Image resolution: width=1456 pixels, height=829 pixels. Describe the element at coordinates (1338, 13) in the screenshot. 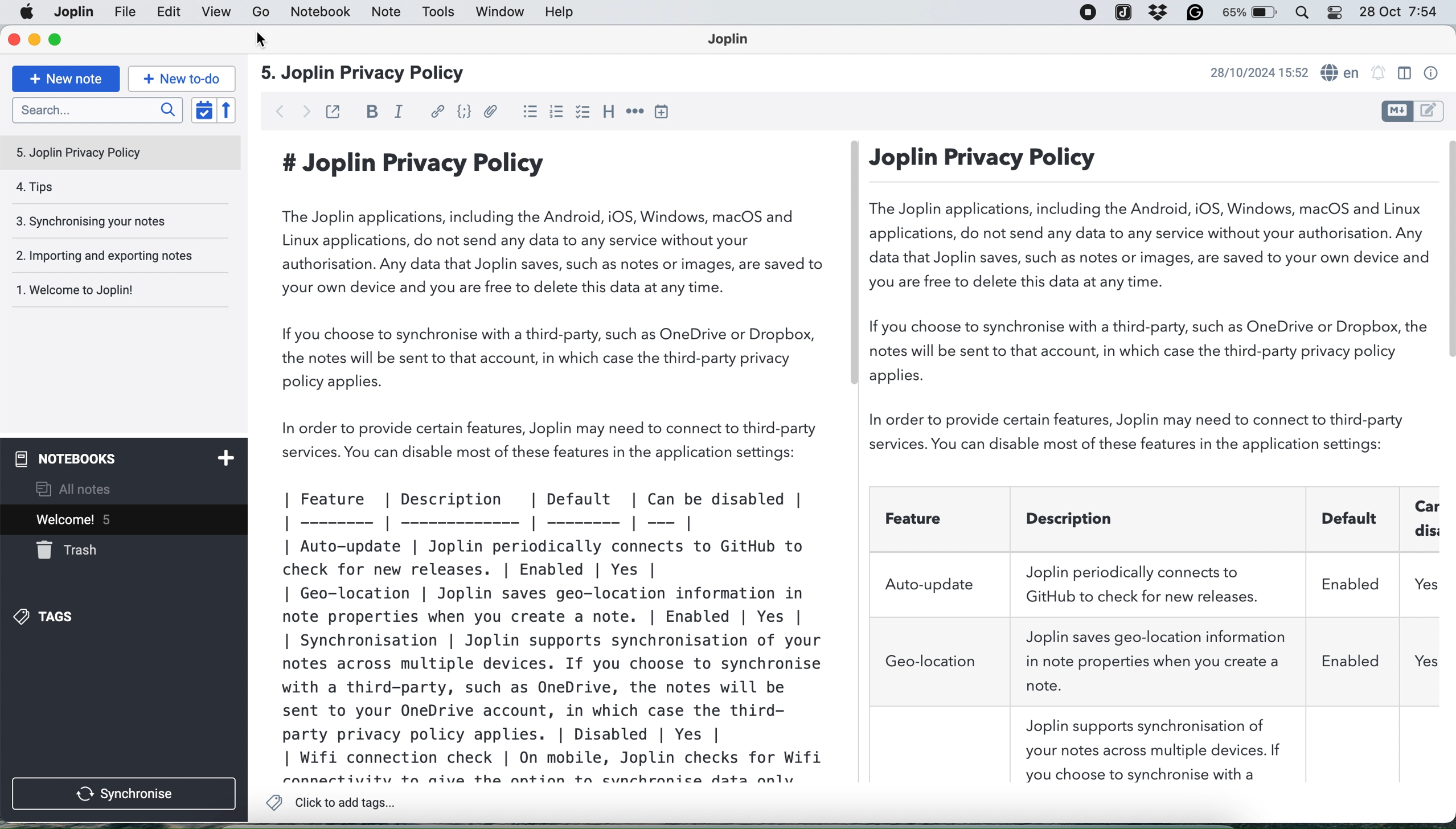

I see `control center` at that location.